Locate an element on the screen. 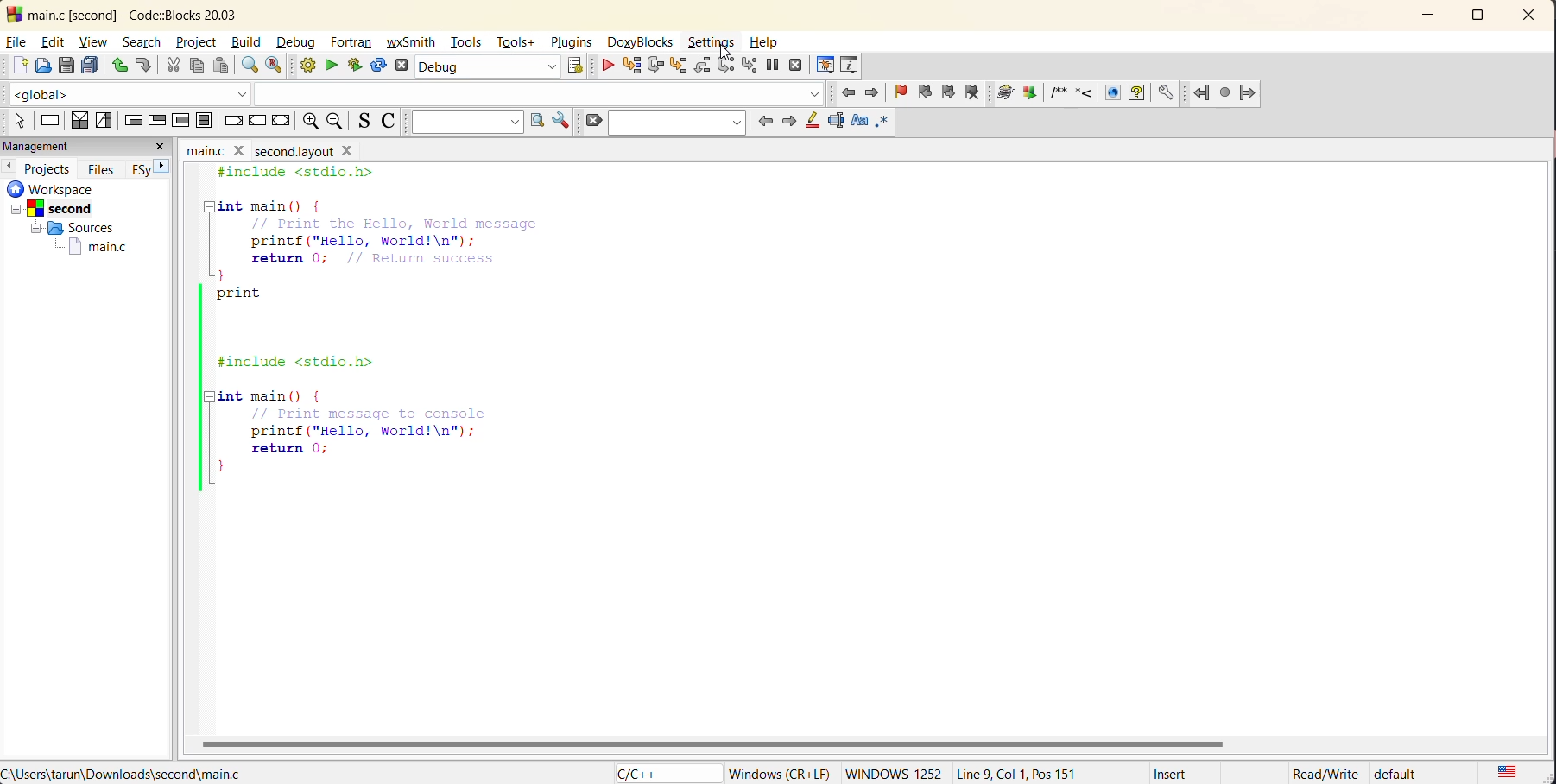 This screenshot has height=784, width=1556. next line is located at coordinates (655, 67).